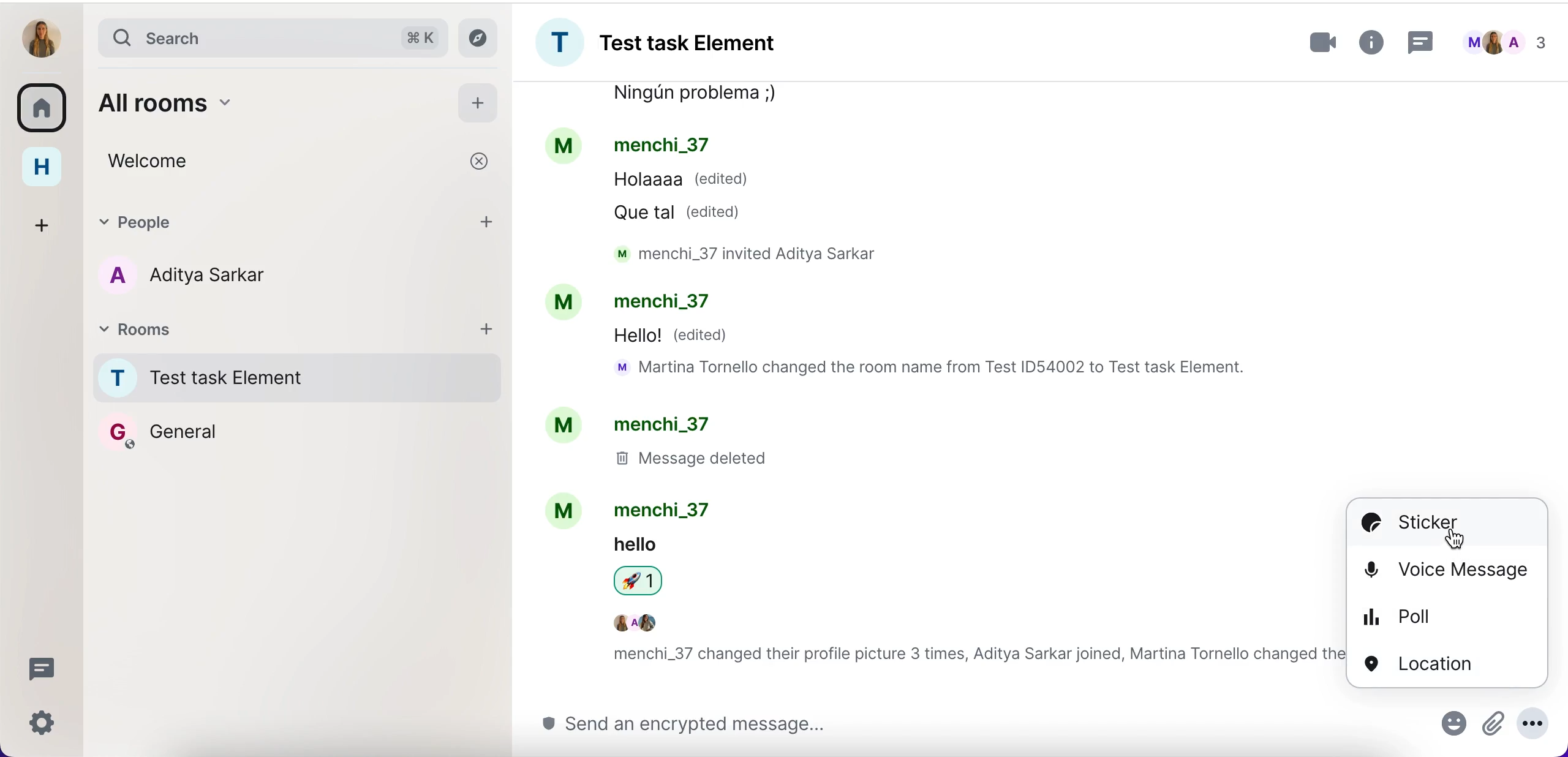 This screenshot has height=757, width=1568. Describe the element at coordinates (1447, 523) in the screenshot. I see `sticker` at that location.